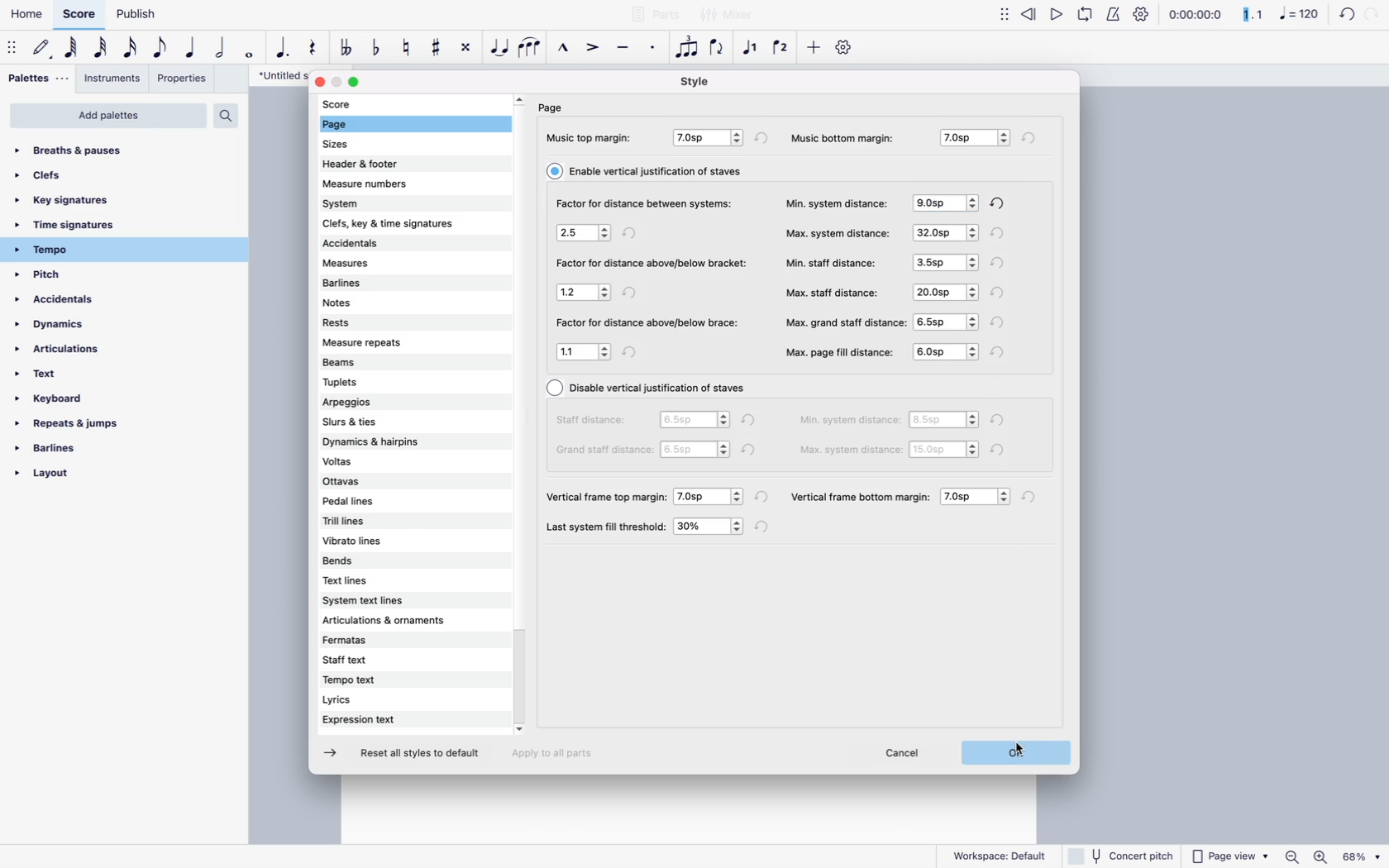 The height and width of the screenshot is (868, 1389). I want to click on tie, so click(500, 50).